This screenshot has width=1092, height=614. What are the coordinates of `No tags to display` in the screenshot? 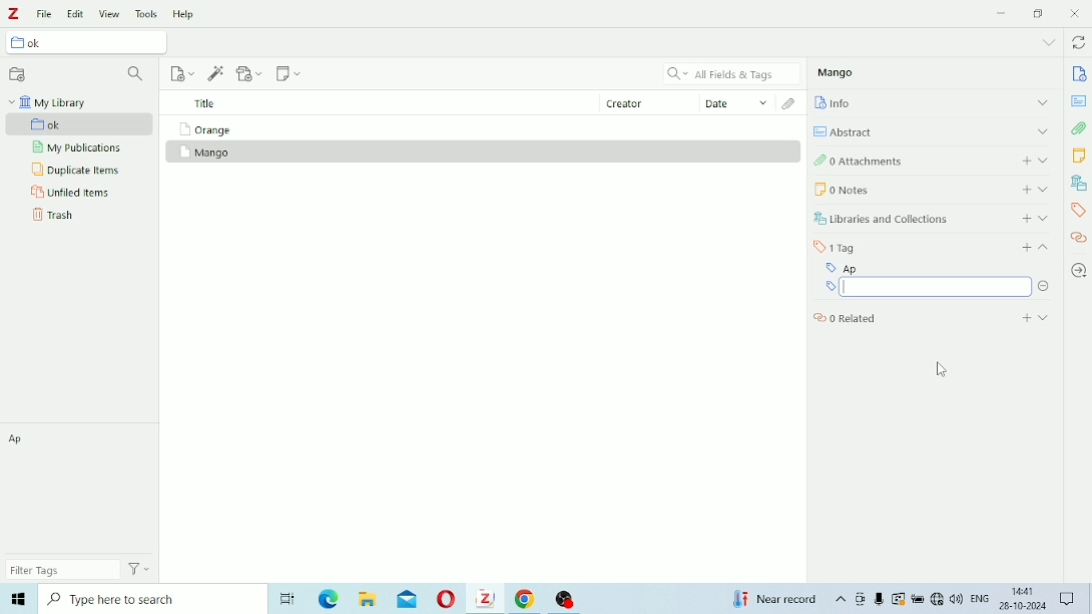 It's located at (83, 490).